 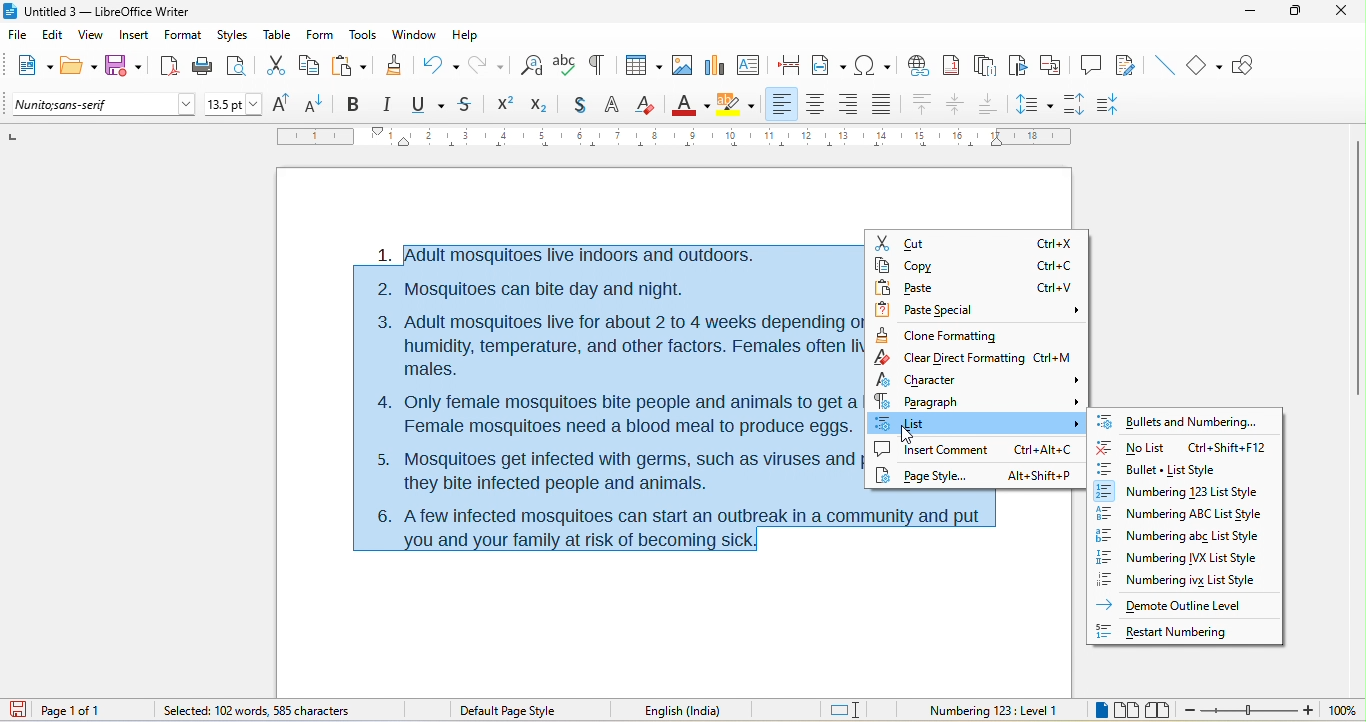 What do you see at coordinates (748, 64) in the screenshot?
I see `text box` at bounding box center [748, 64].